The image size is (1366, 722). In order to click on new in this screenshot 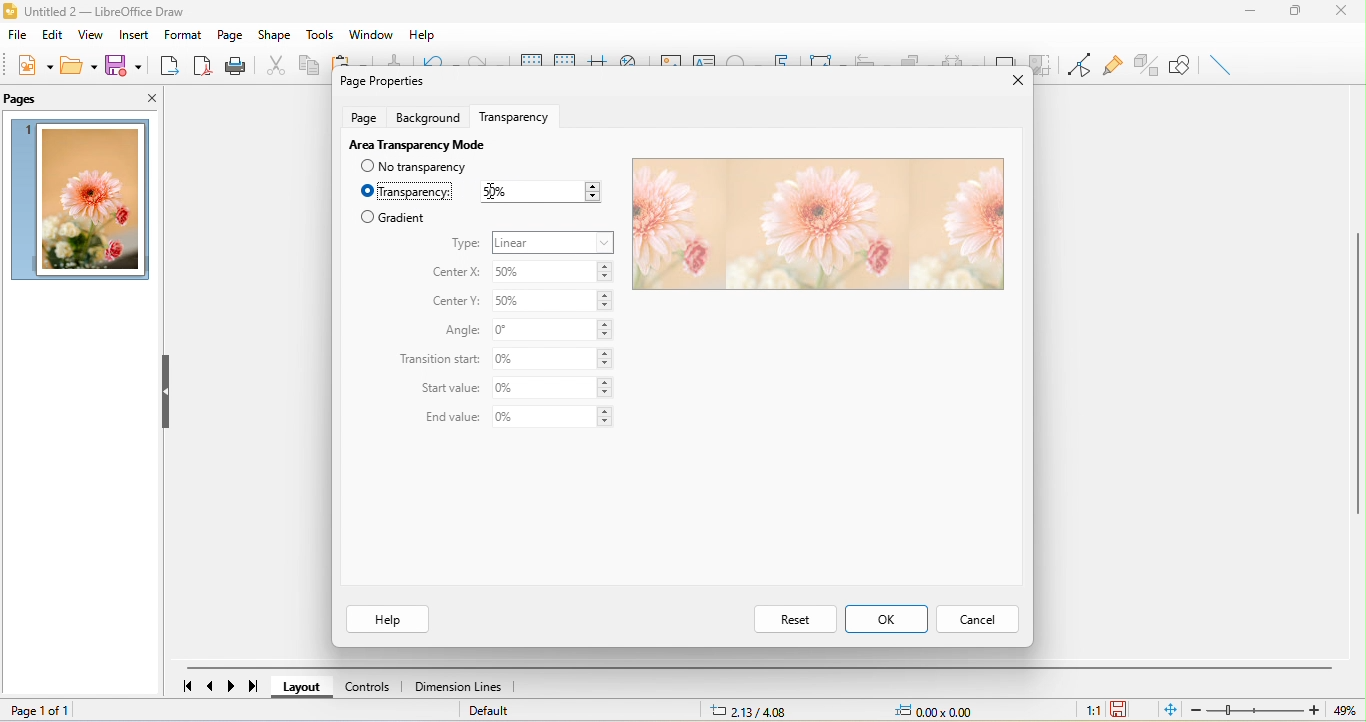, I will do `click(36, 65)`.